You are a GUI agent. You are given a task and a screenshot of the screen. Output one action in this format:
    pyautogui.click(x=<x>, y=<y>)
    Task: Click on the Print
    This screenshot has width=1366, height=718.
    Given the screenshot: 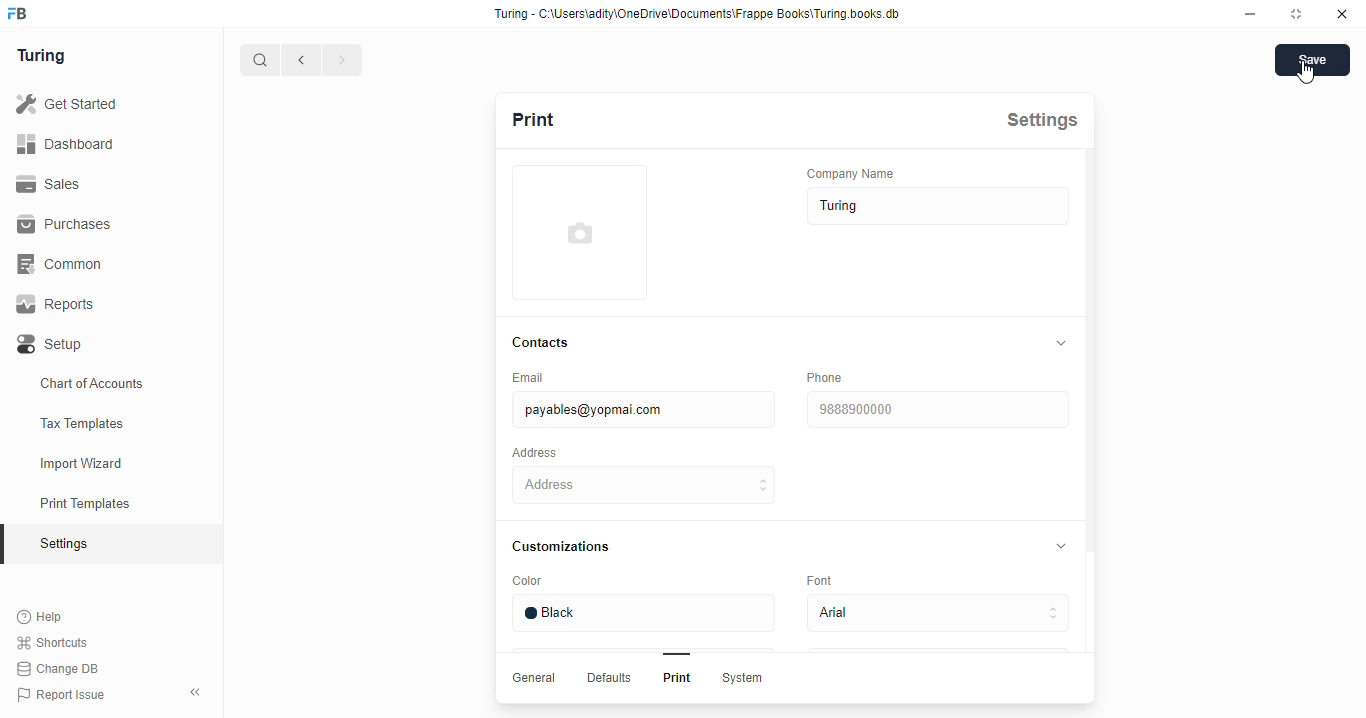 What is the action you would take?
    pyautogui.click(x=673, y=680)
    